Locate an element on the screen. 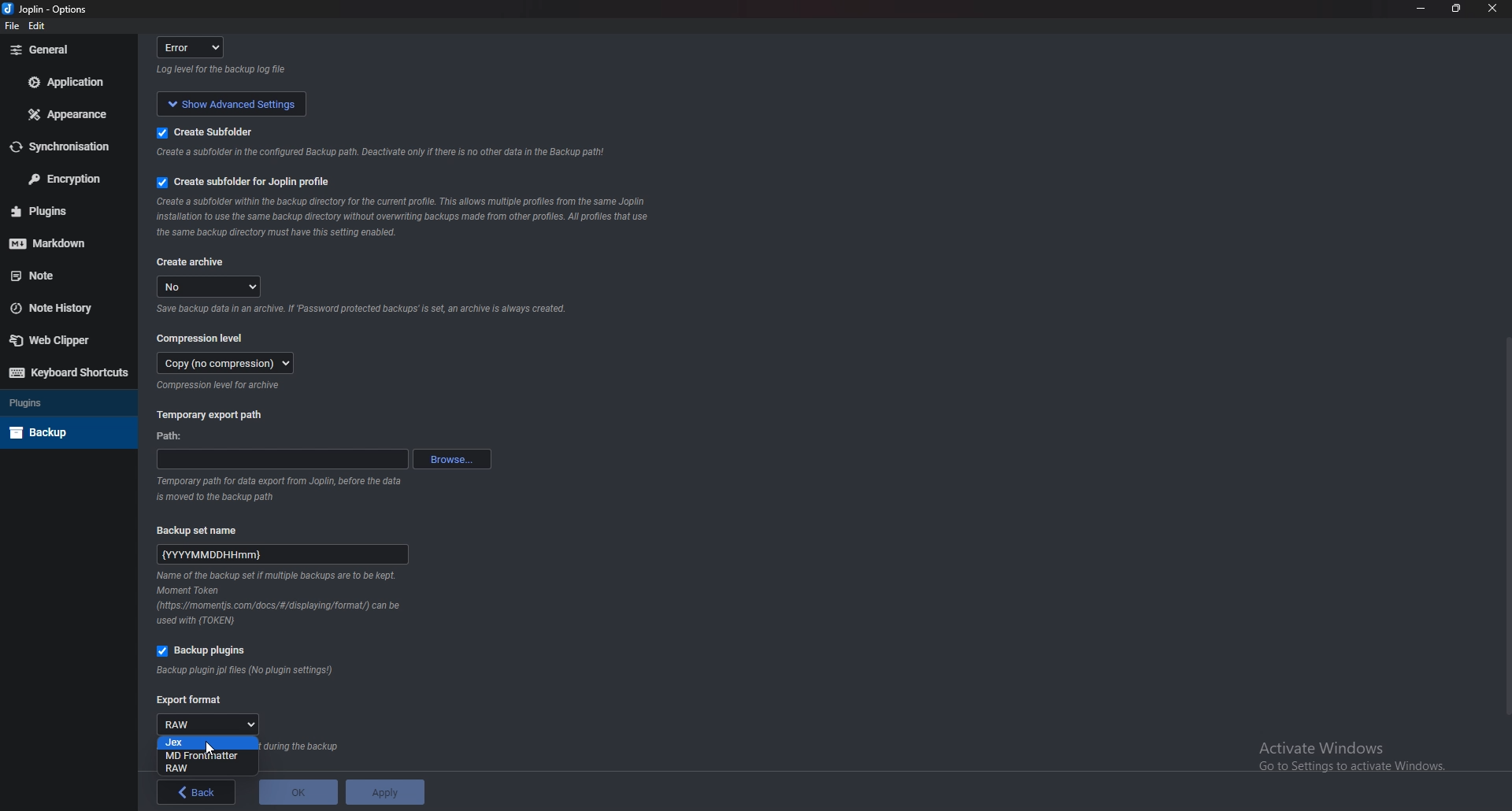 This screenshot has width=1512, height=811. Application is located at coordinates (69, 82).